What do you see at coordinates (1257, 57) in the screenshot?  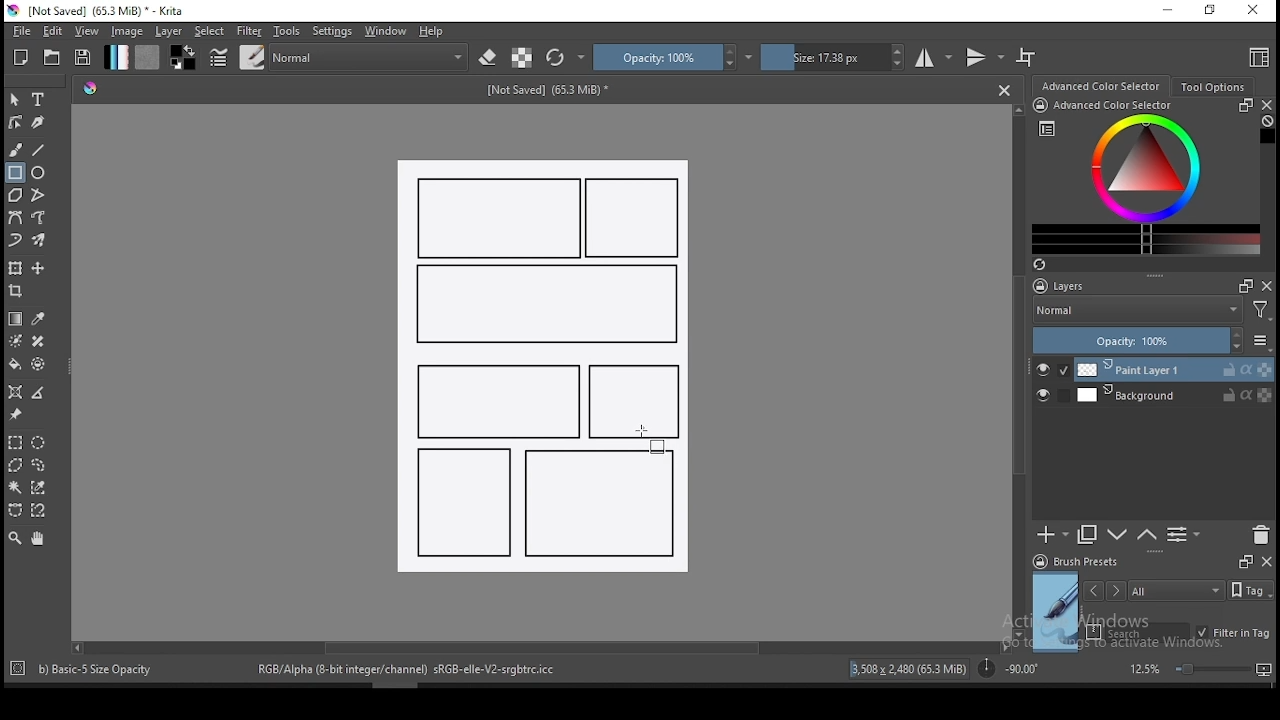 I see `choose workspace` at bounding box center [1257, 57].